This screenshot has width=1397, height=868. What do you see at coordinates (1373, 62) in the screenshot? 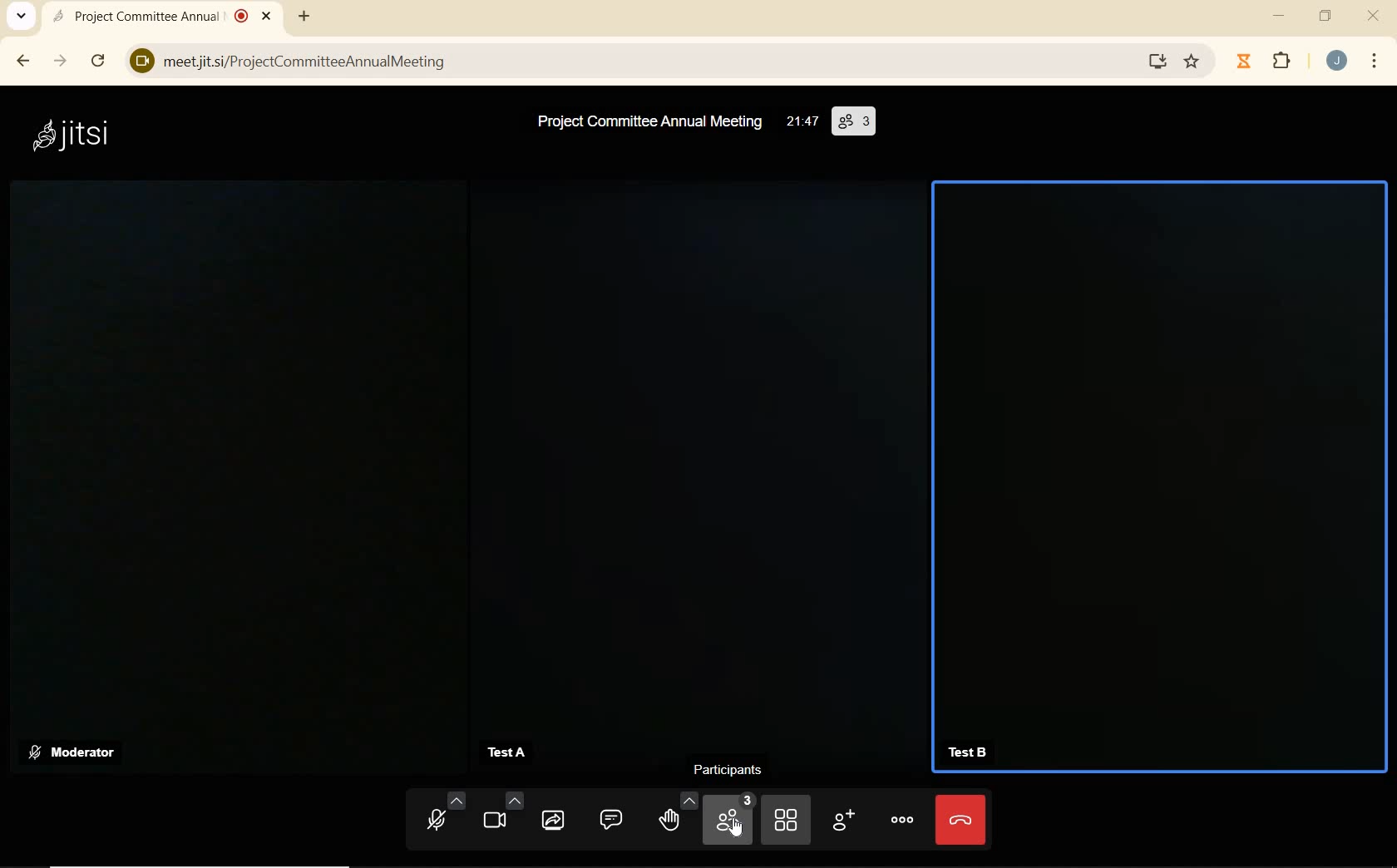
I see `CUSTOMIZE GOOGLE CHROME` at bounding box center [1373, 62].